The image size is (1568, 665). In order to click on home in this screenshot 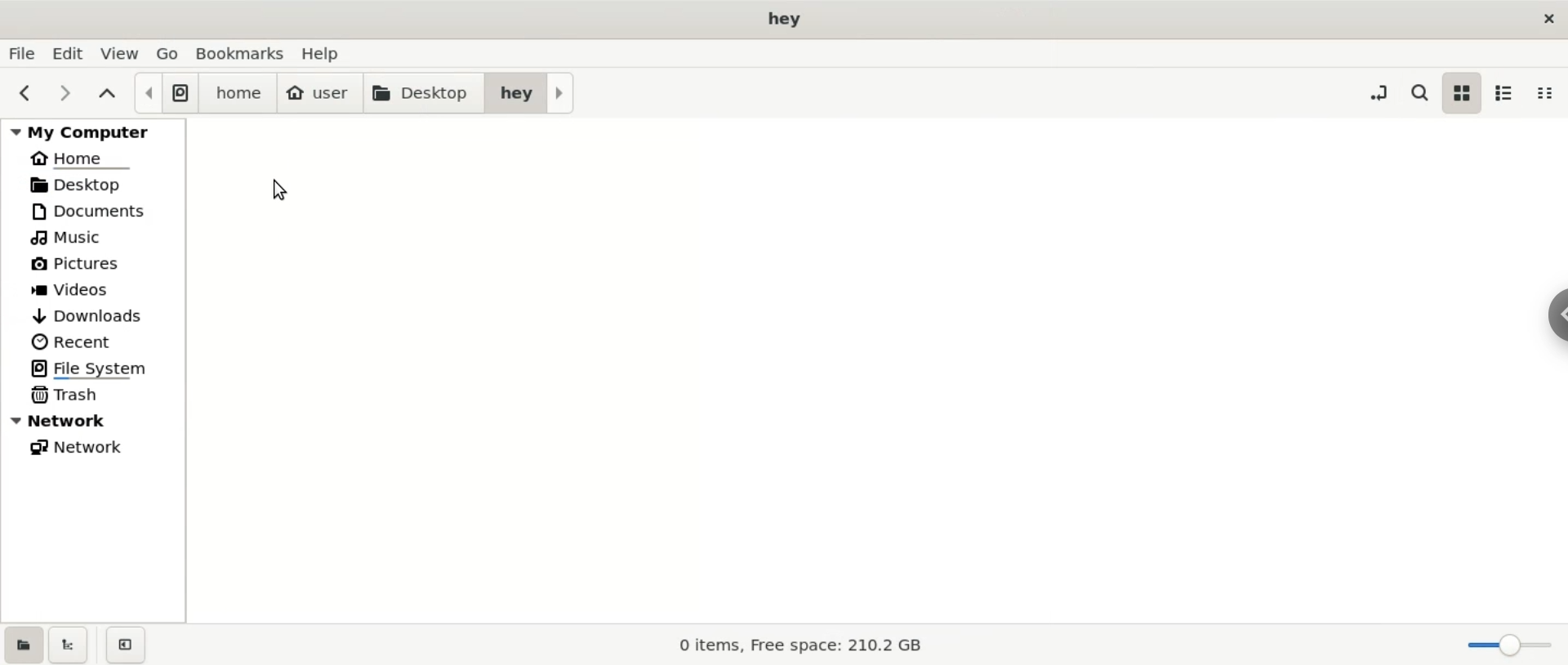, I will do `click(93, 155)`.